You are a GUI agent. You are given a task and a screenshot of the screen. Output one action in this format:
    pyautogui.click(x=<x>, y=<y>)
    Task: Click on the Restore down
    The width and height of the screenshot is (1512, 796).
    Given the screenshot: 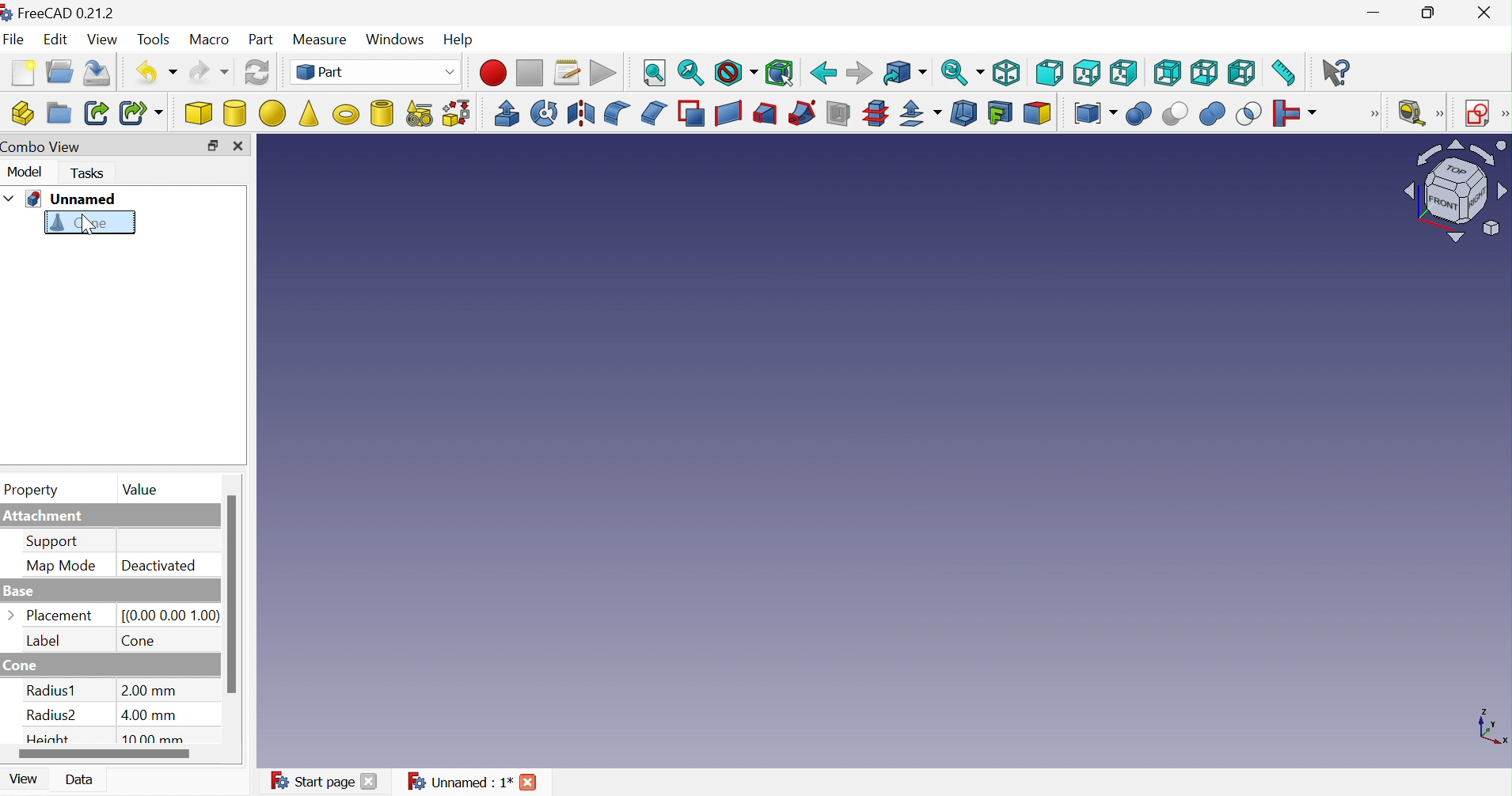 What is the action you would take?
    pyautogui.click(x=212, y=145)
    